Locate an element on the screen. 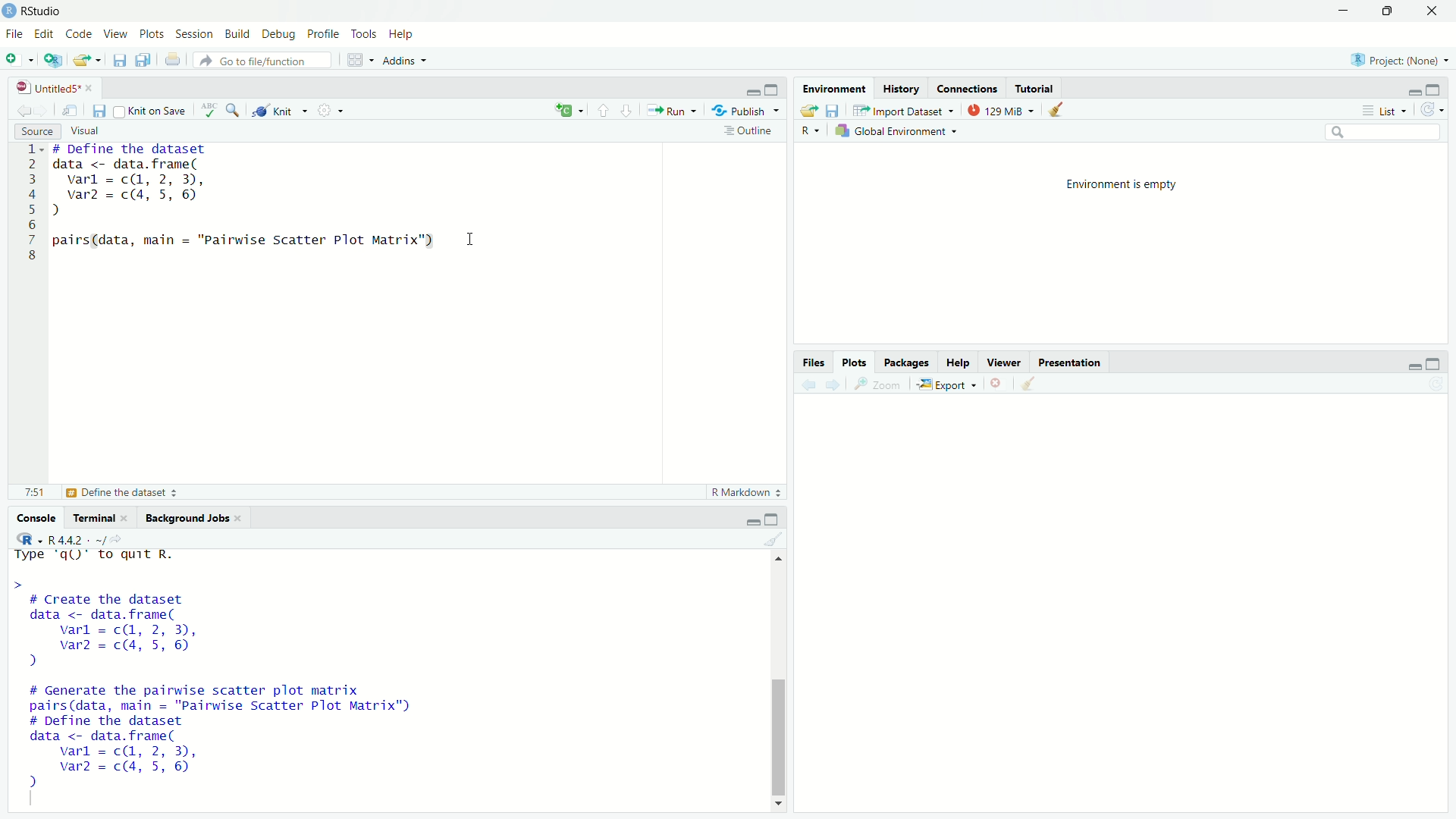 The height and width of the screenshot is (819, 1456). Export is located at coordinates (945, 384).